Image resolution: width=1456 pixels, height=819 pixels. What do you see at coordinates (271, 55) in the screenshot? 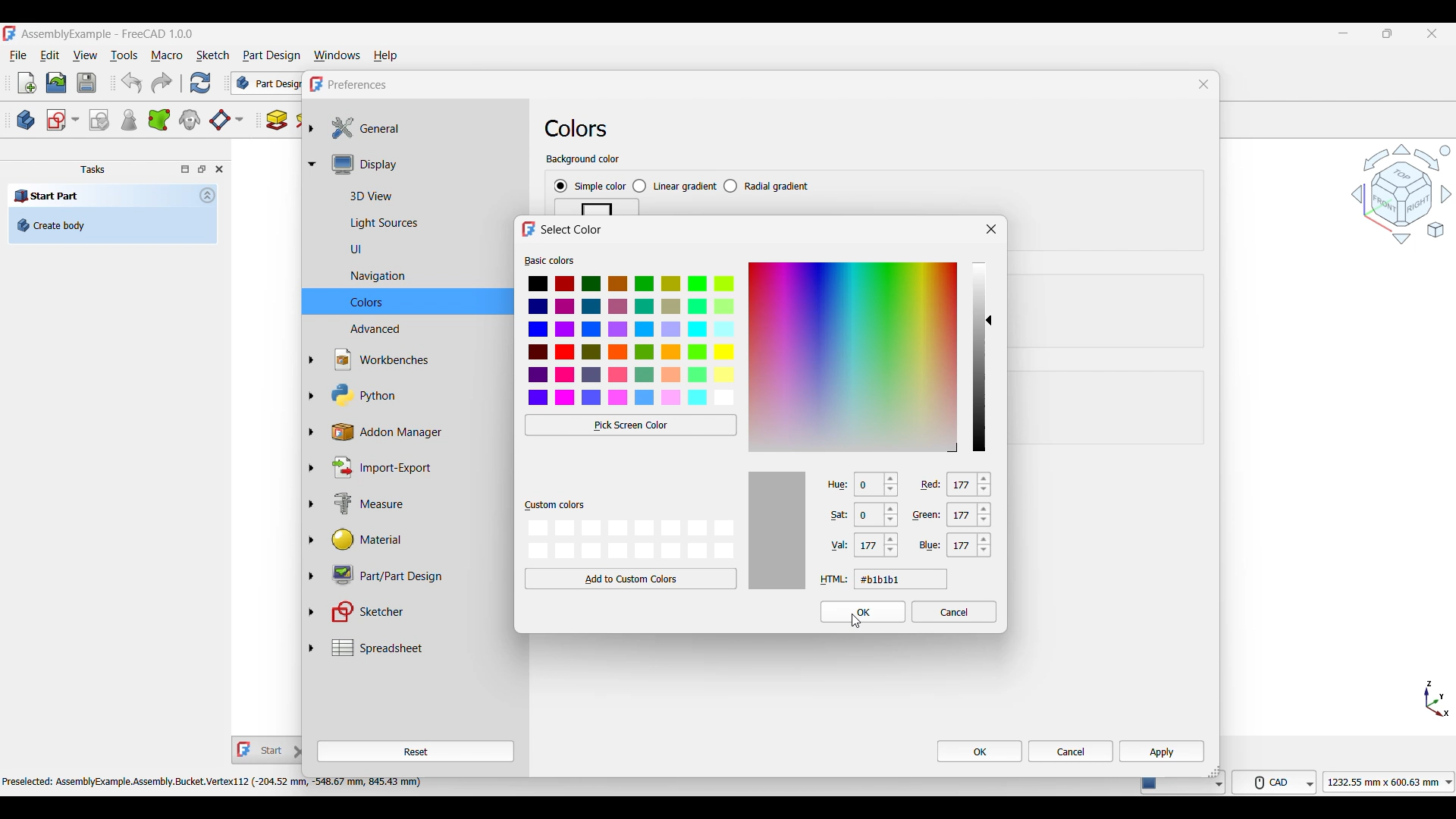
I see `Part design` at bounding box center [271, 55].